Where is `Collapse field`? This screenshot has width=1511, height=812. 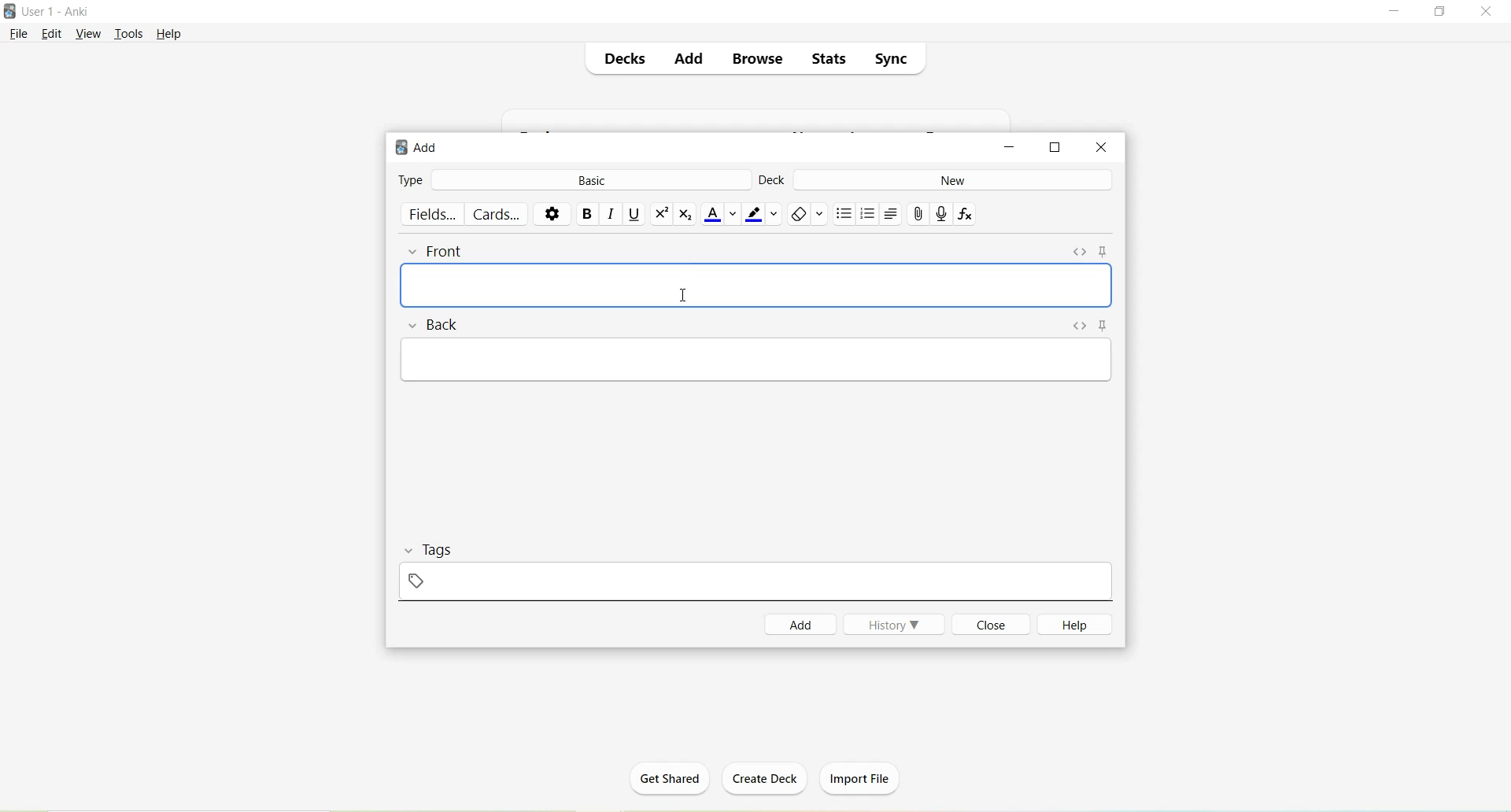 Collapse field is located at coordinates (415, 326).